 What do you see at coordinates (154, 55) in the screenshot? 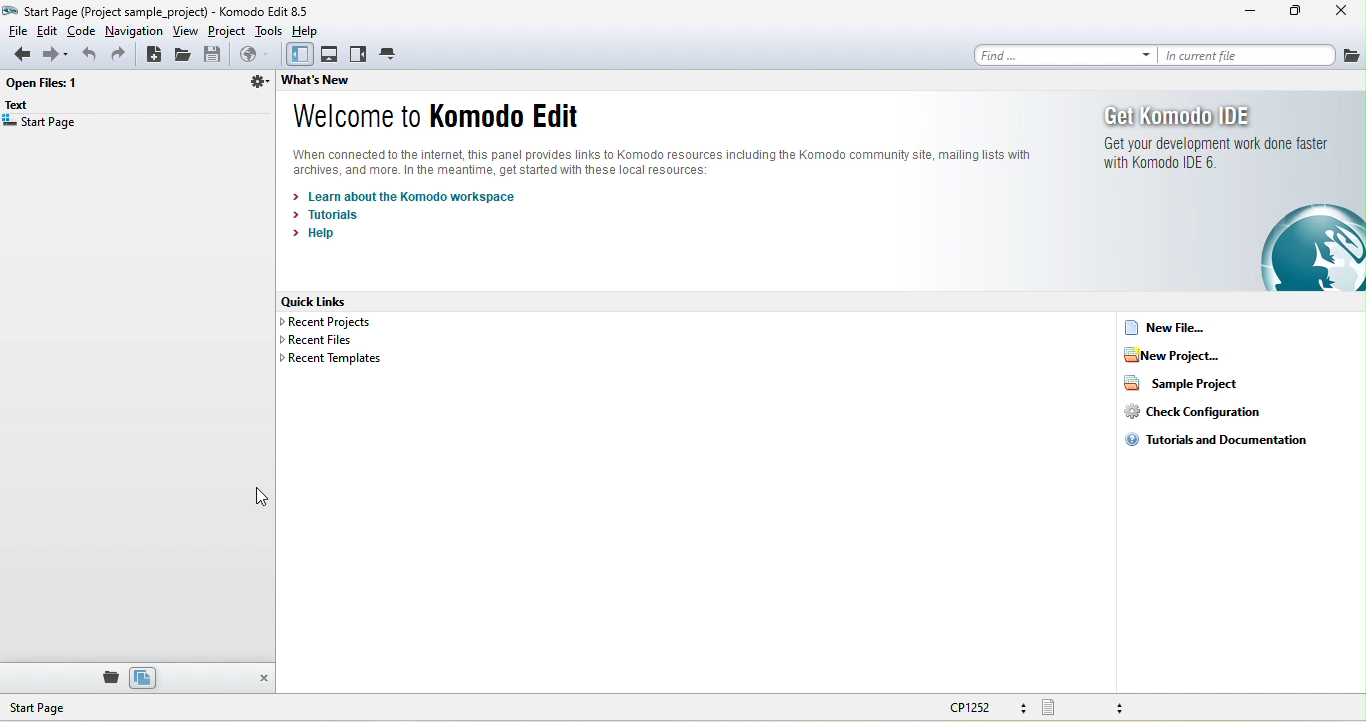
I see `new` at bounding box center [154, 55].